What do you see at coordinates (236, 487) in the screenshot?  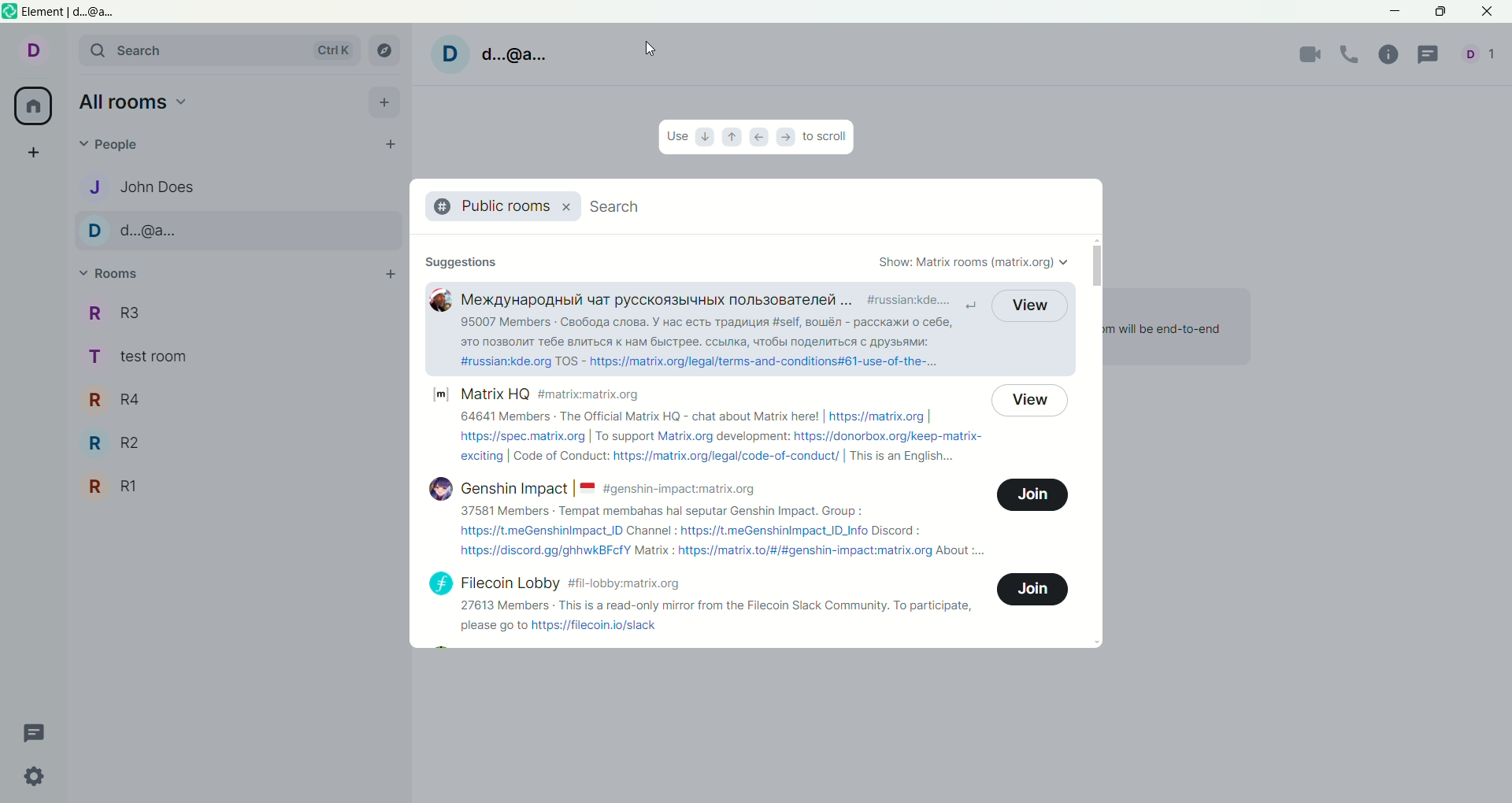 I see `R1` at bounding box center [236, 487].